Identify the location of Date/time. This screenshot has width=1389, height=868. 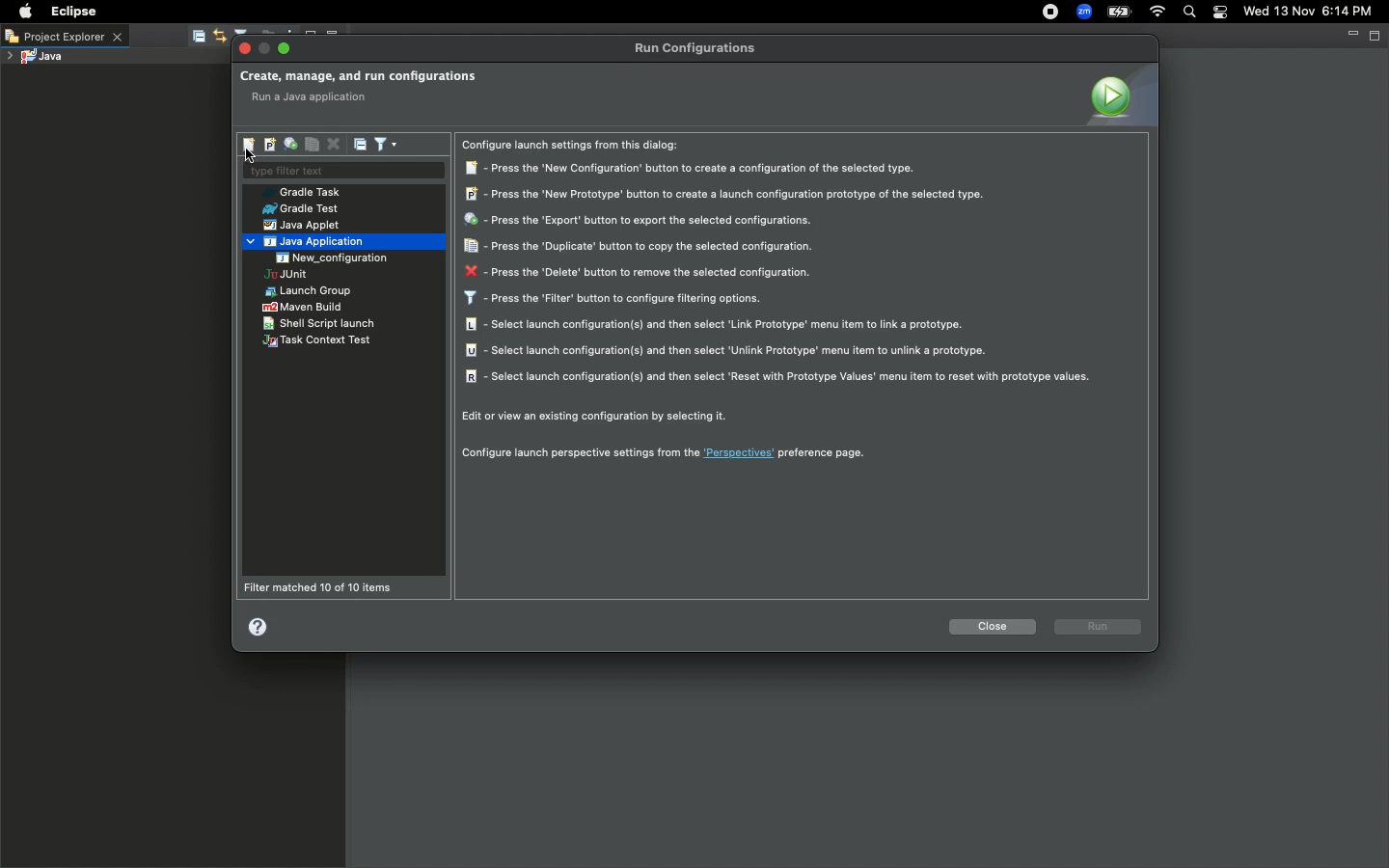
(1316, 11).